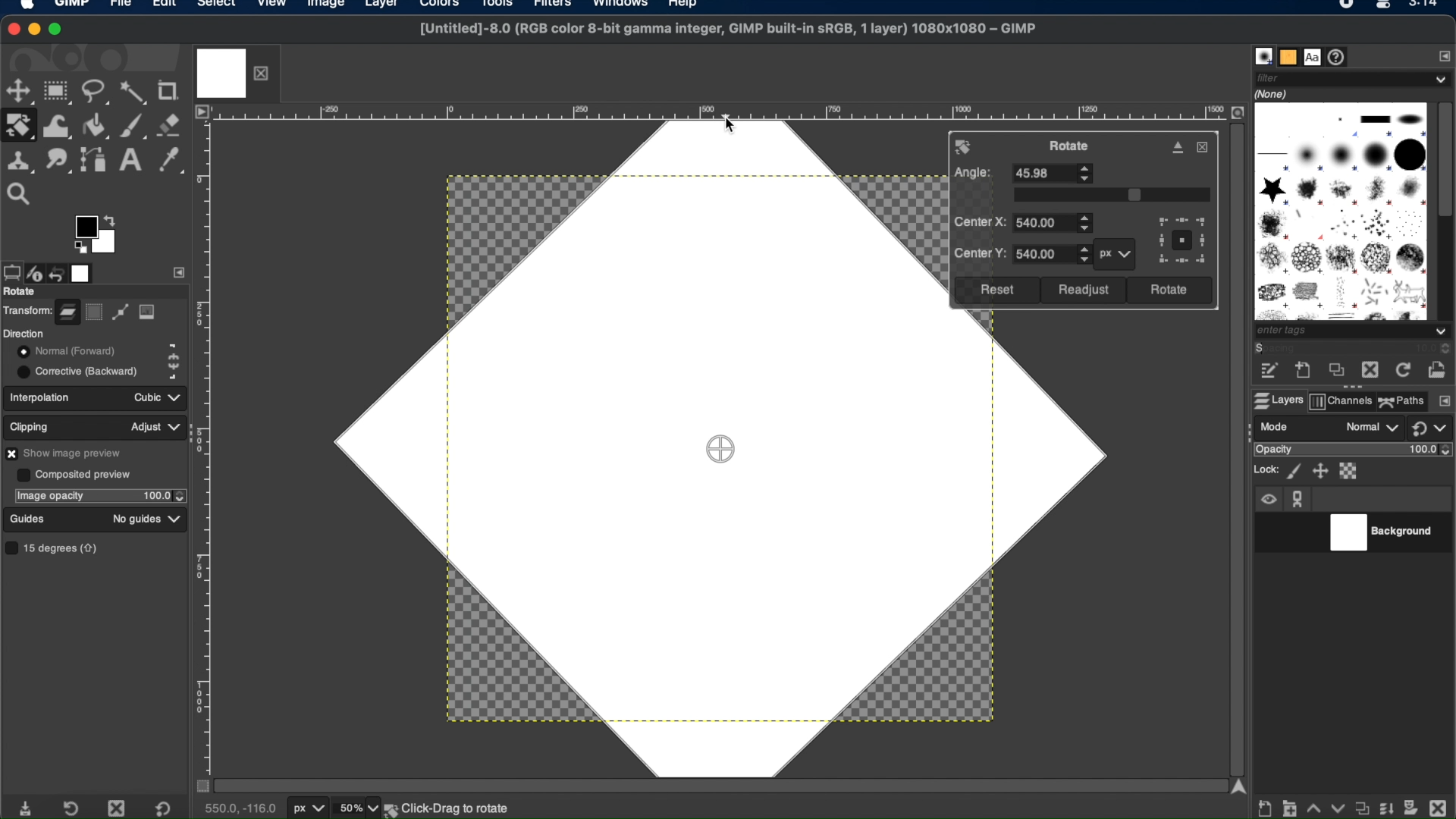  What do you see at coordinates (58, 271) in the screenshot?
I see `undo history` at bounding box center [58, 271].